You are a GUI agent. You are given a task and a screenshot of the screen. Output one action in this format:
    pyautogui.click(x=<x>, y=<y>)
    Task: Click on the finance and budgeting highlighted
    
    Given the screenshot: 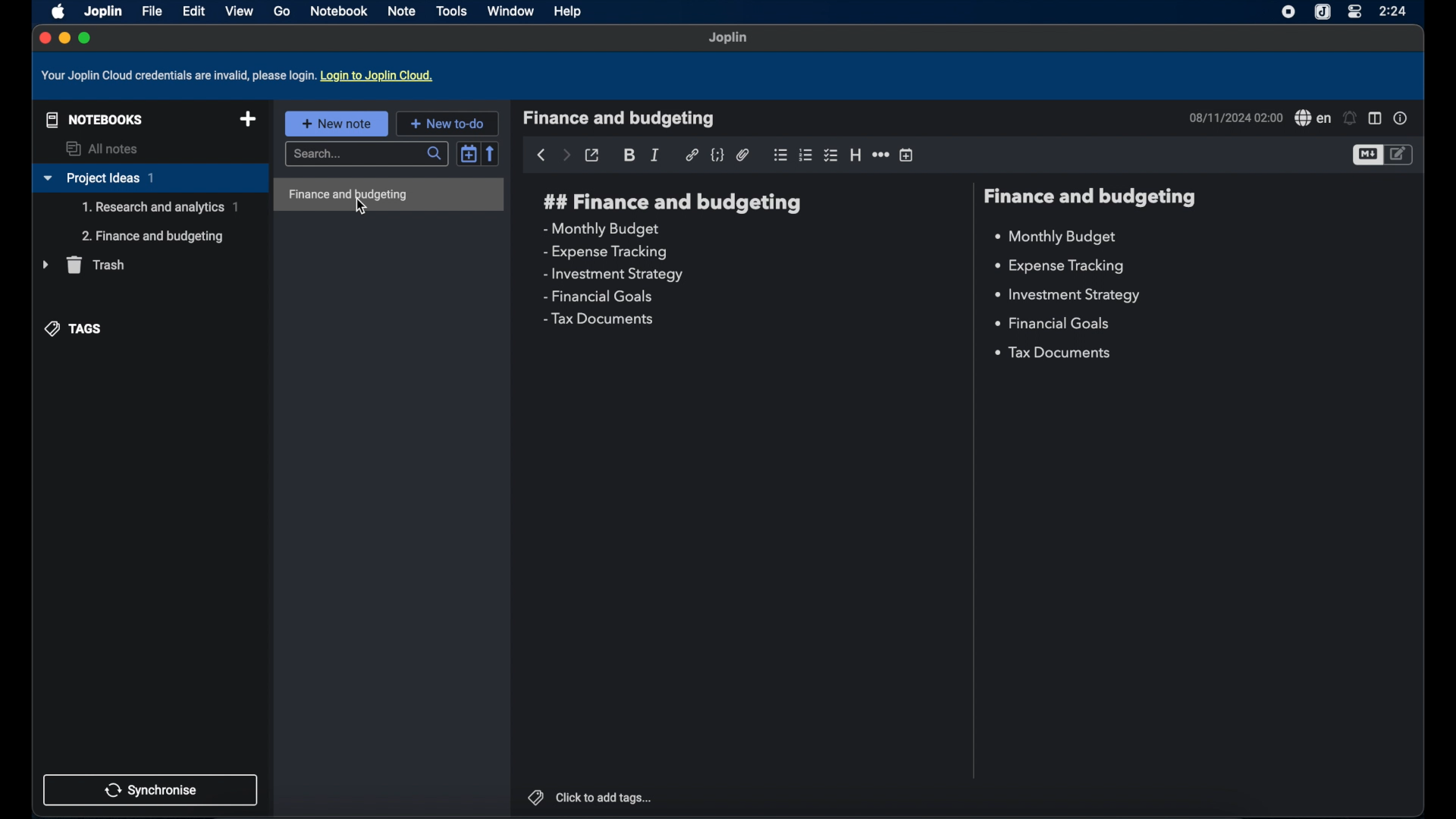 What is the action you would take?
    pyautogui.click(x=389, y=195)
    